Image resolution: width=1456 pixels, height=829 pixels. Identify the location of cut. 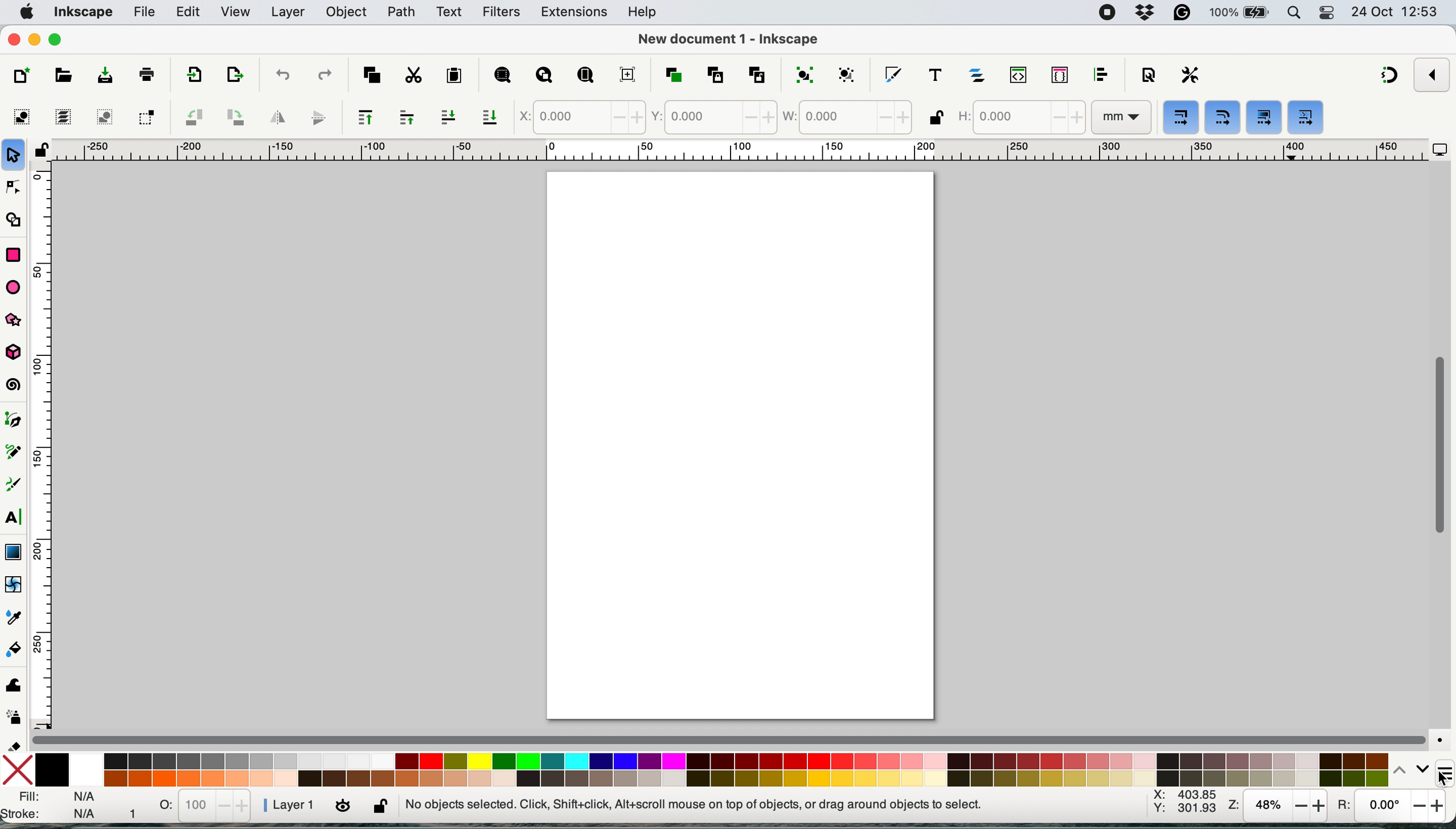
(412, 76).